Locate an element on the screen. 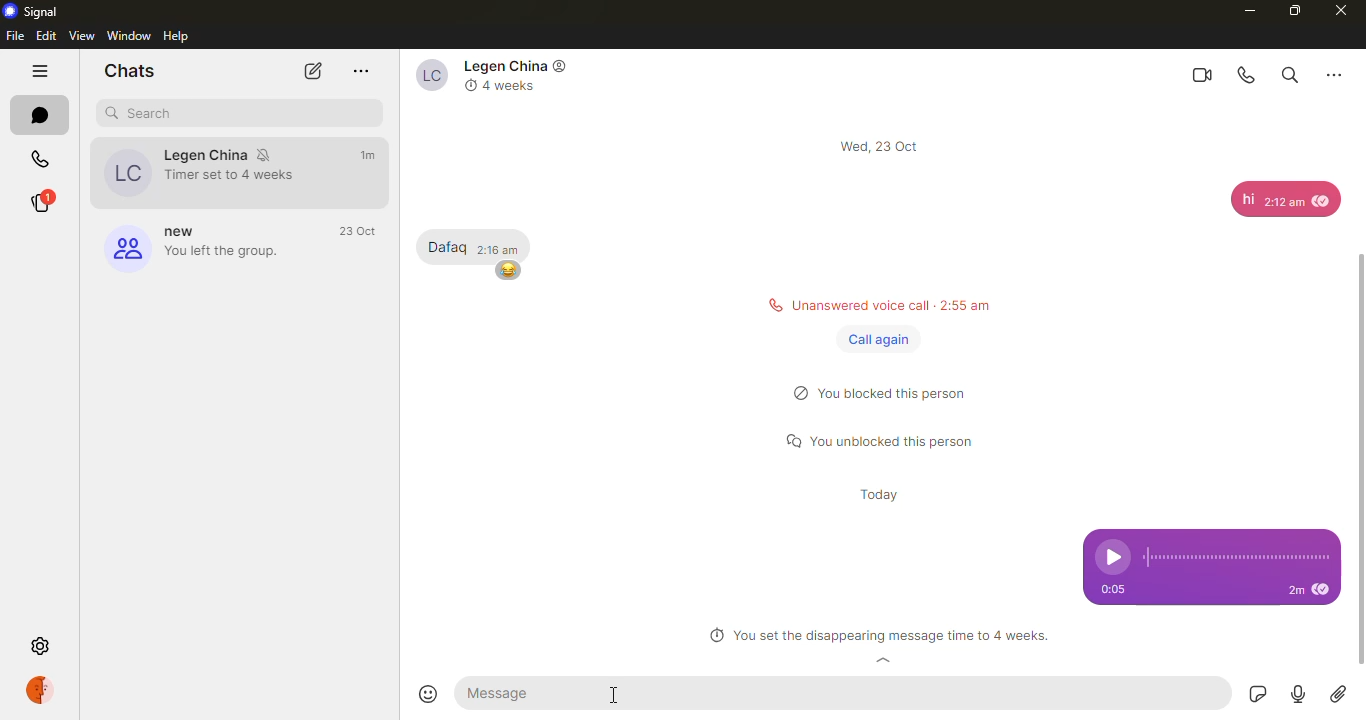 The width and height of the screenshot is (1366, 720). 1m is located at coordinates (370, 155).